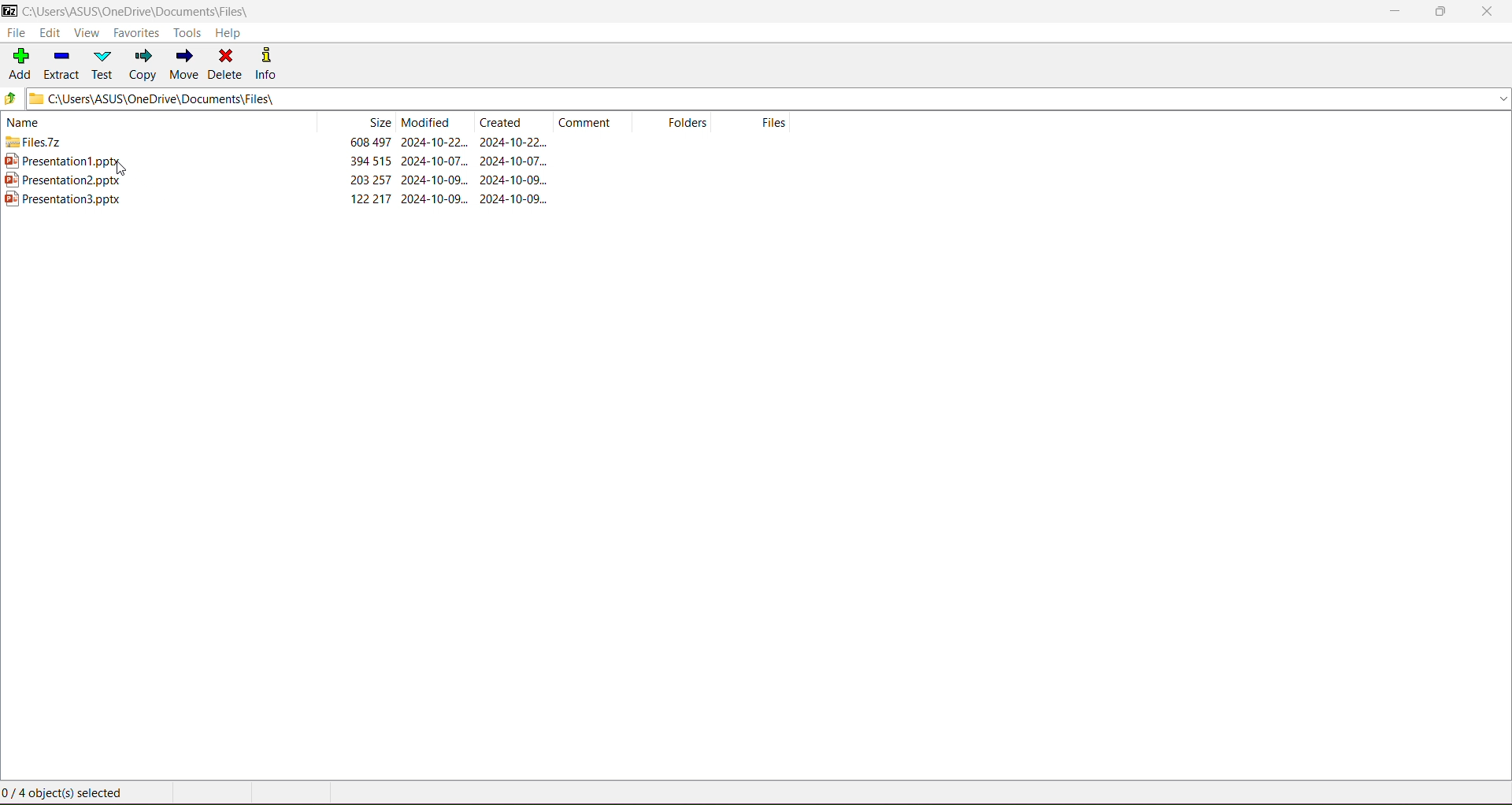  Describe the element at coordinates (63, 199) in the screenshot. I see `presentation3.pptx` at that location.